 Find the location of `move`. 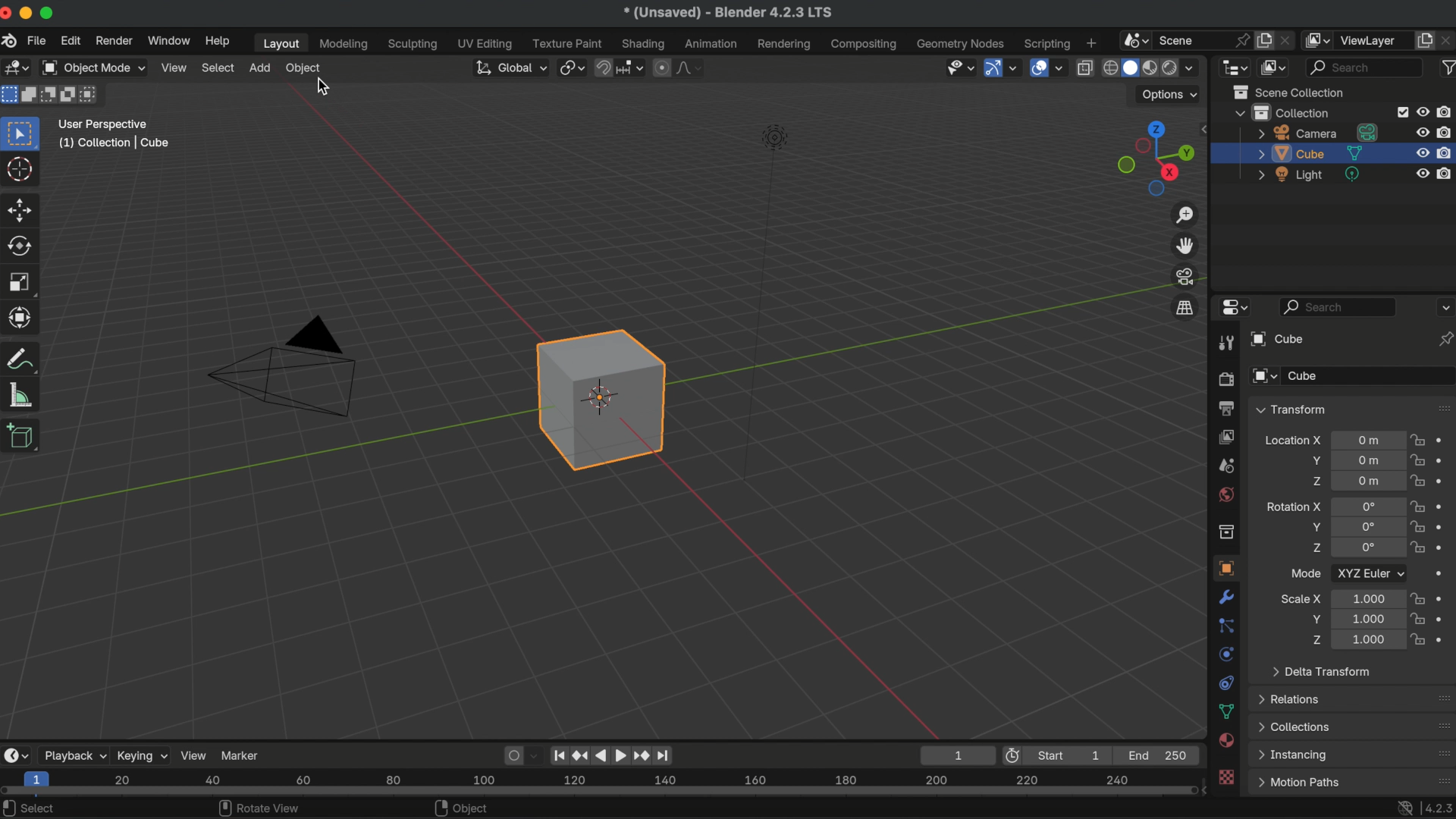

move is located at coordinates (21, 209).